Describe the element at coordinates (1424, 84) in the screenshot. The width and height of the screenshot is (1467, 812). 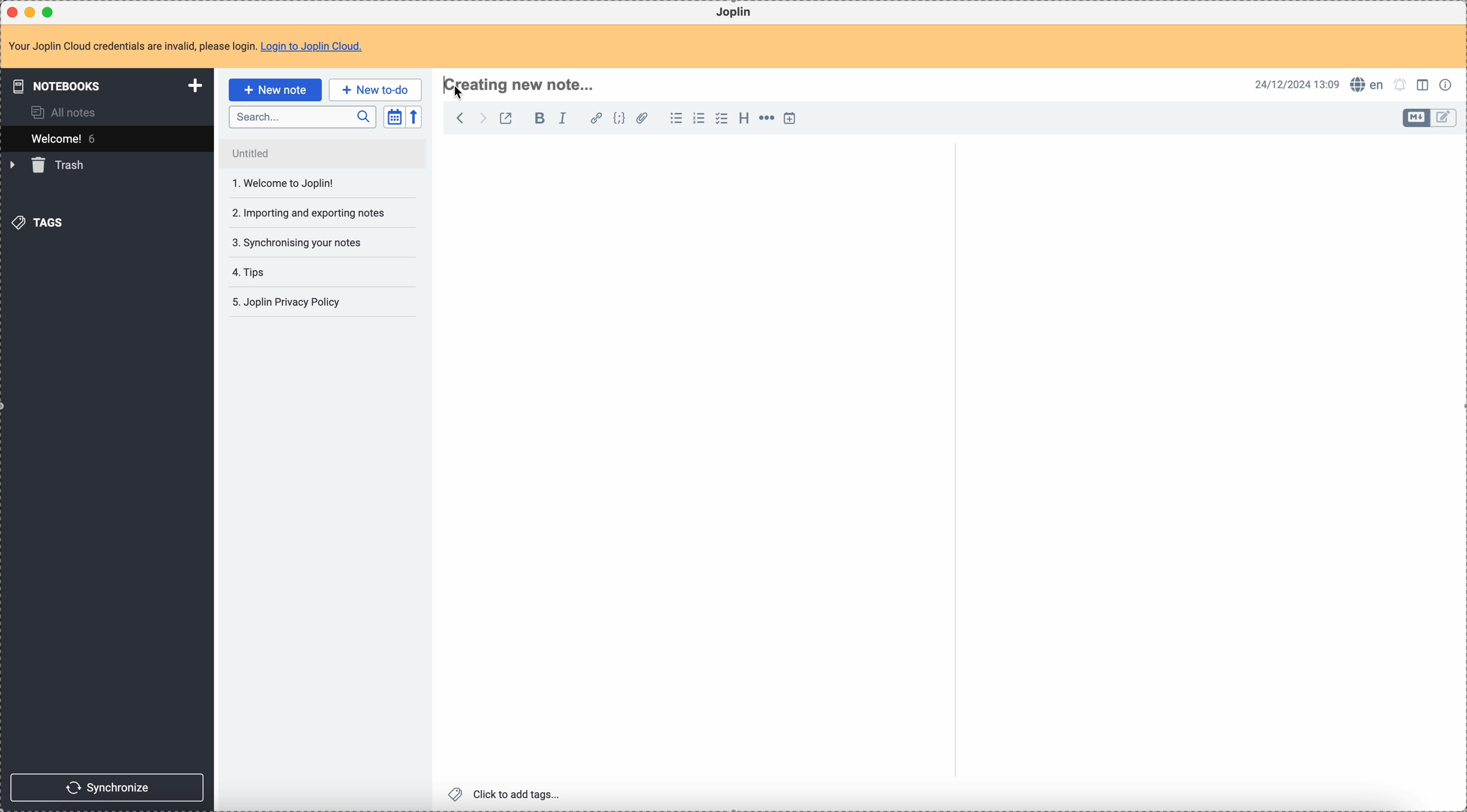
I see `toggle edit layout` at that location.